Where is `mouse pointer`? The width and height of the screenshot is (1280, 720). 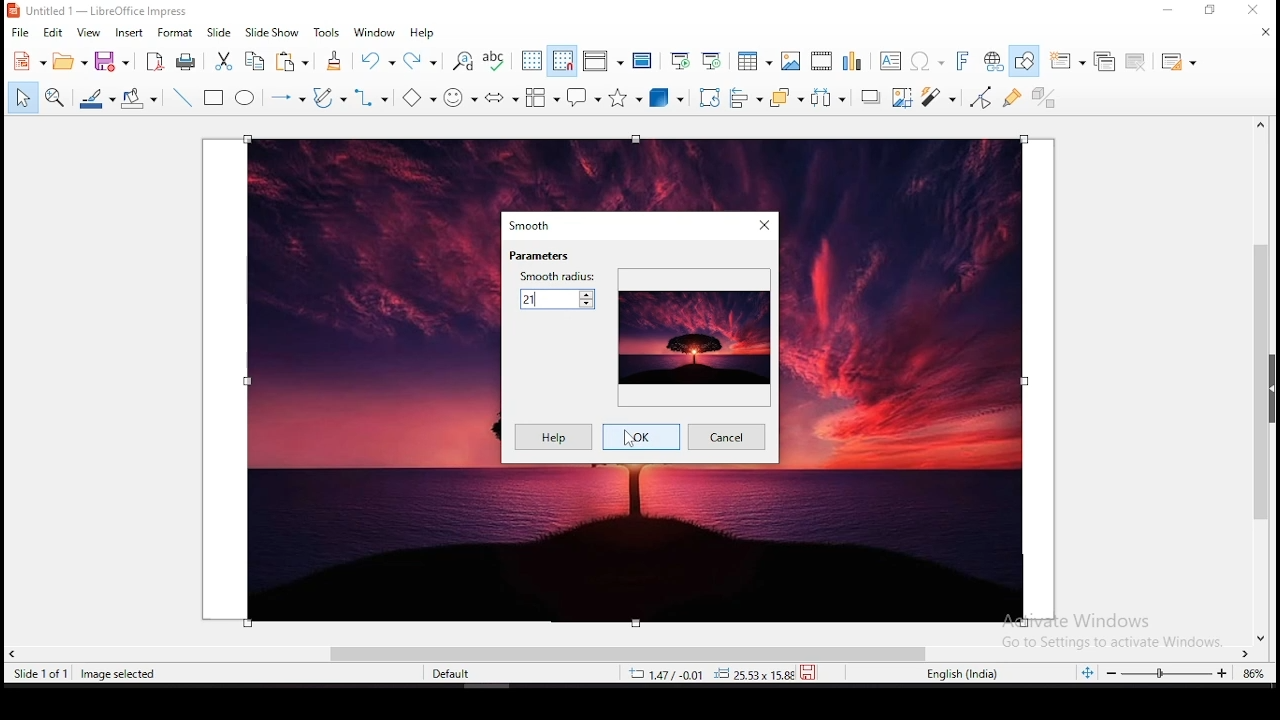 mouse pointer is located at coordinates (632, 441).